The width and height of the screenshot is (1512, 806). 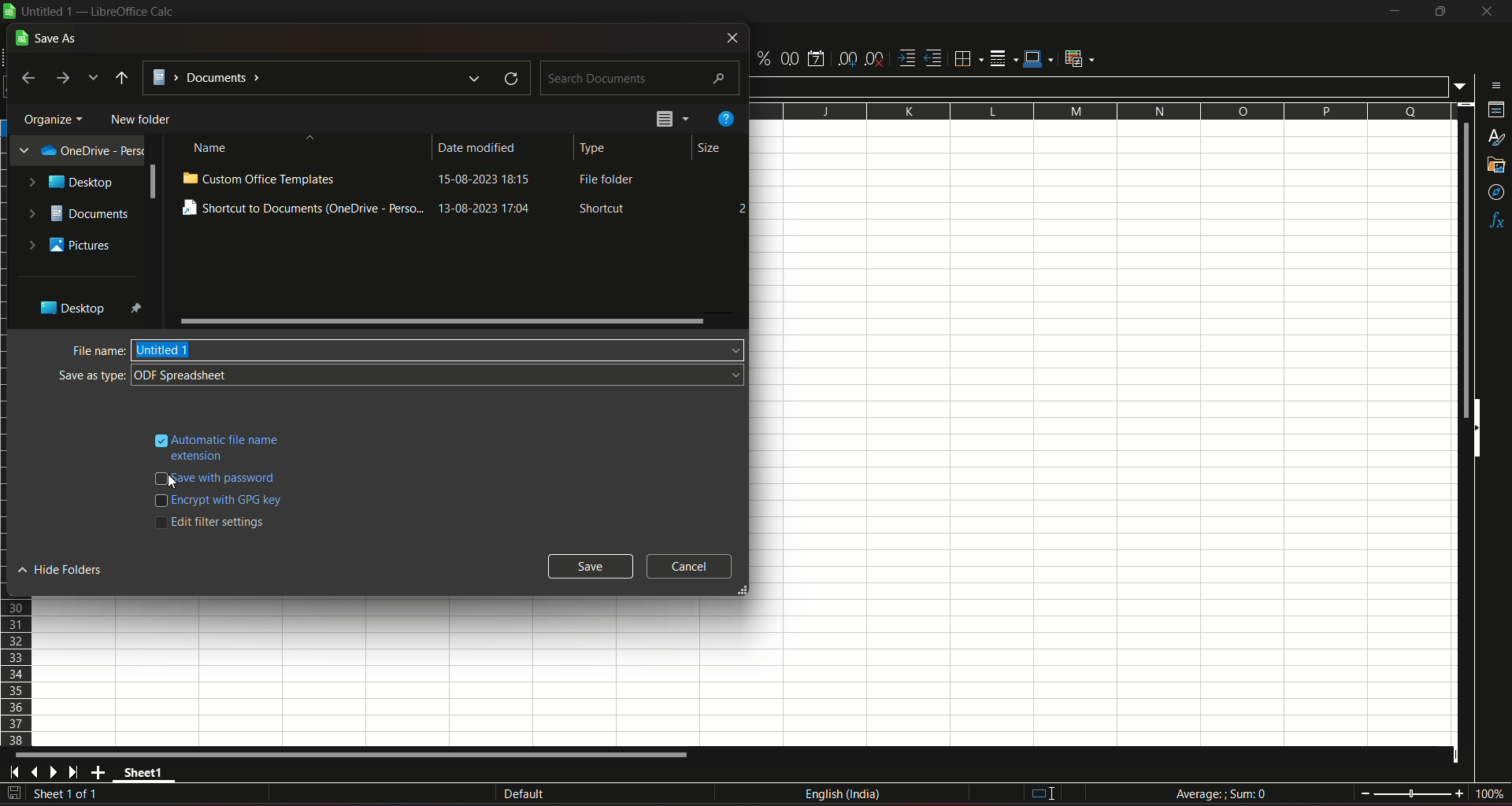 I want to click on save, so click(x=14, y=793).